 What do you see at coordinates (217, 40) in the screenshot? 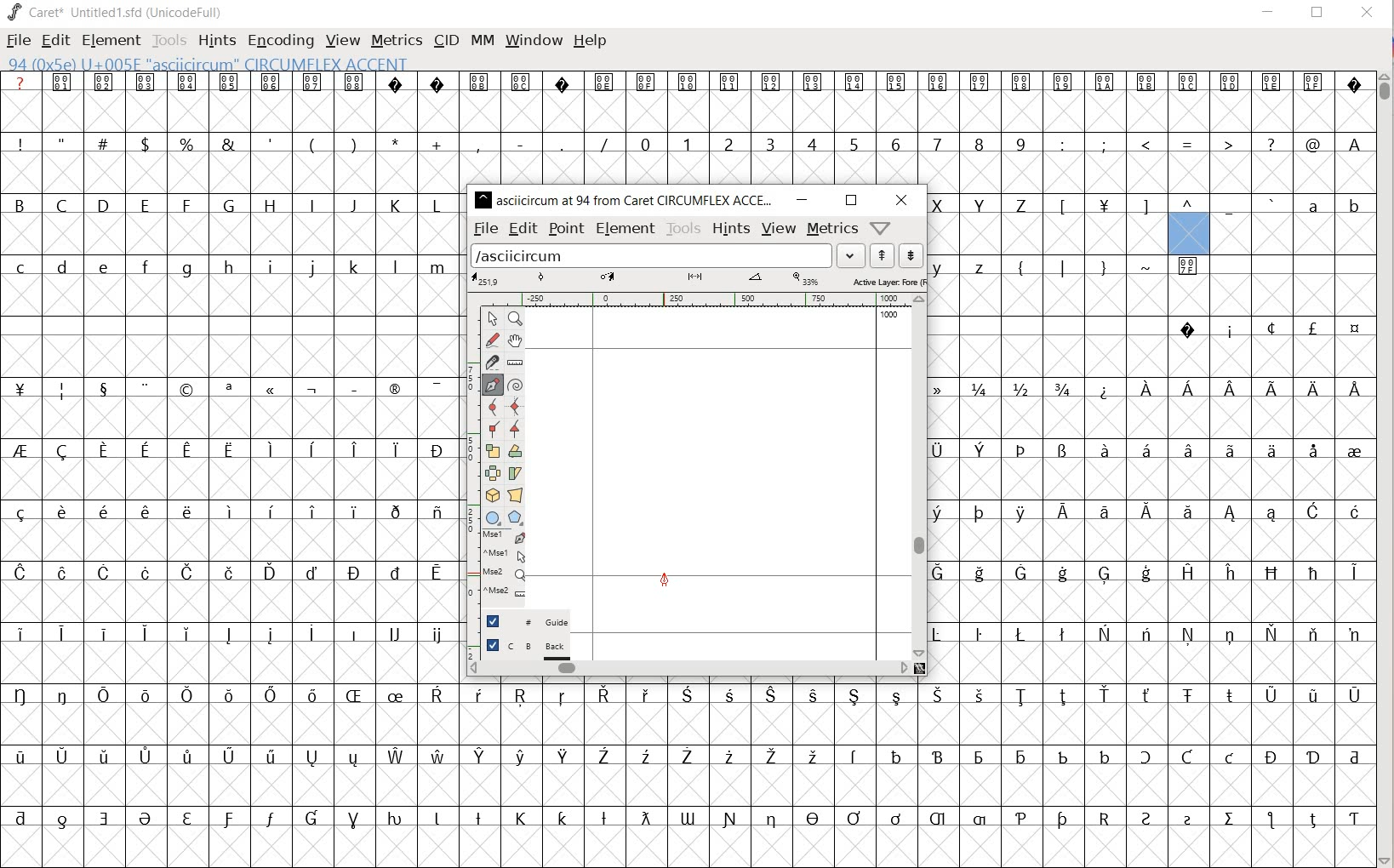
I see `HINTS` at bounding box center [217, 40].